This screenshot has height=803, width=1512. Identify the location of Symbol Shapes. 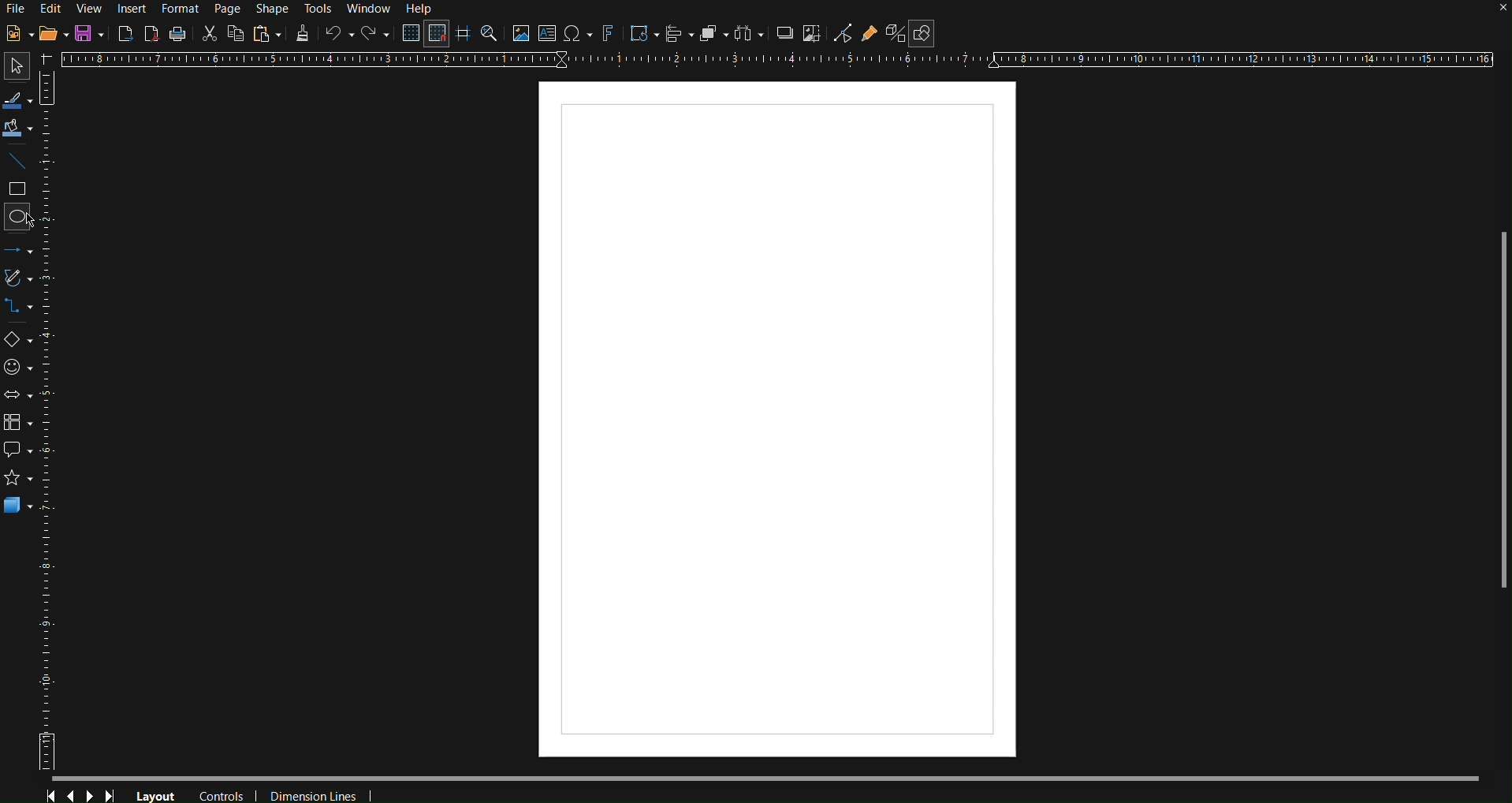
(22, 367).